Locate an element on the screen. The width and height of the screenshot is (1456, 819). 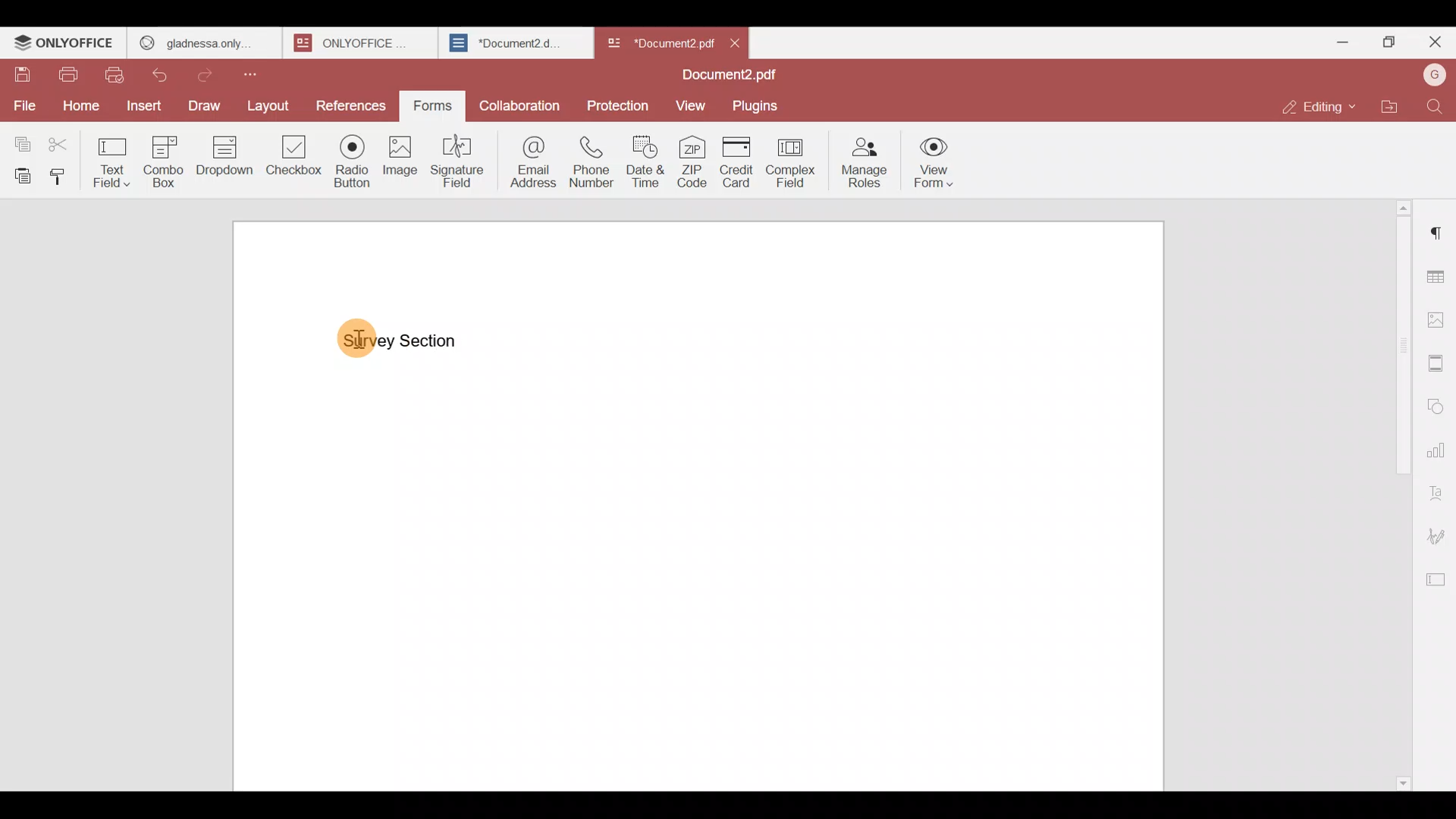
Plugins is located at coordinates (756, 105).